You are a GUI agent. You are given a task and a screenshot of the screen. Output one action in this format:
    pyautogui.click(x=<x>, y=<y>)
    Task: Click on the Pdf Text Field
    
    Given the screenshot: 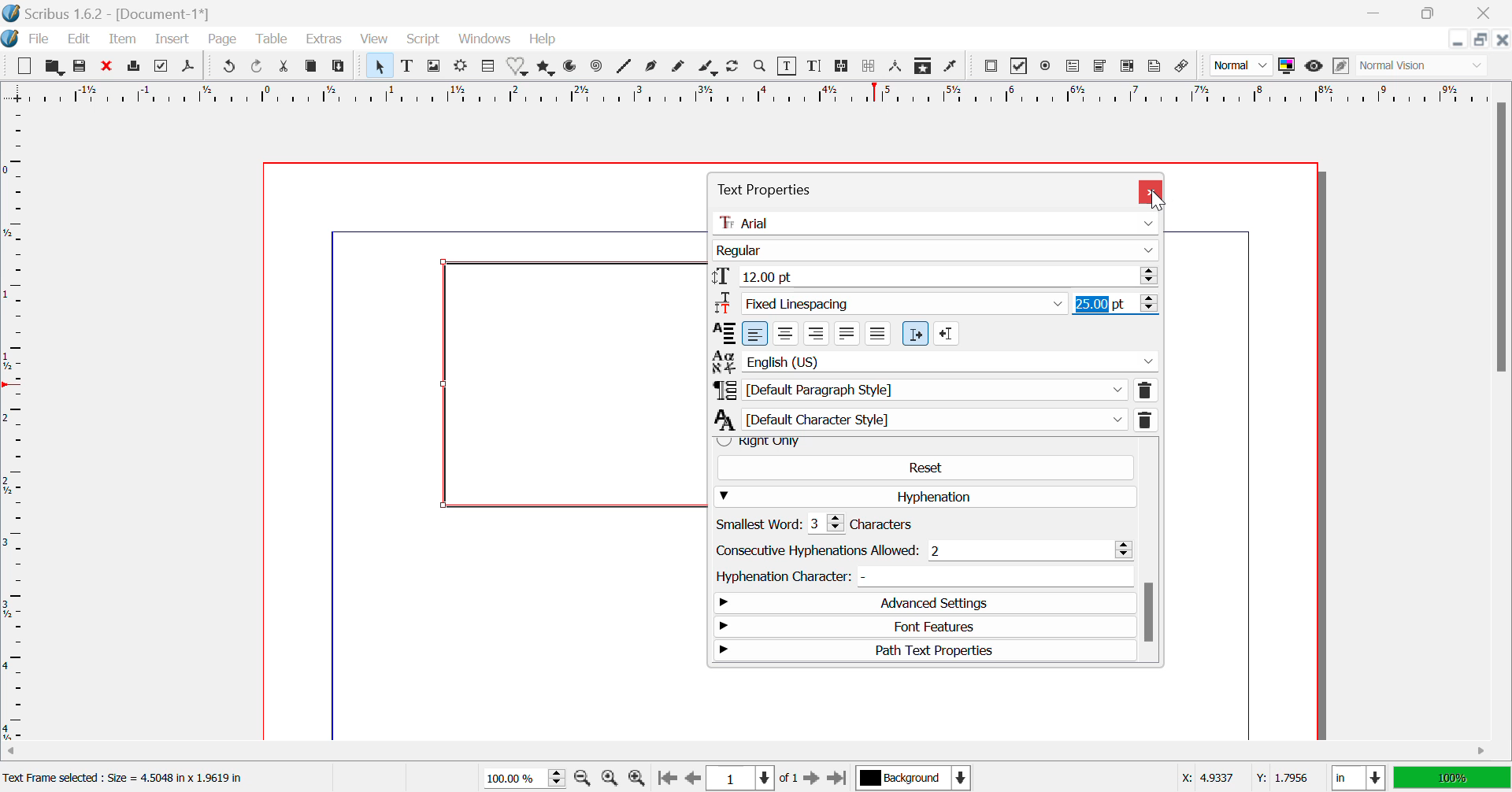 What is the action you would take?
    pyautogui.click(x=1074, y=68)
    